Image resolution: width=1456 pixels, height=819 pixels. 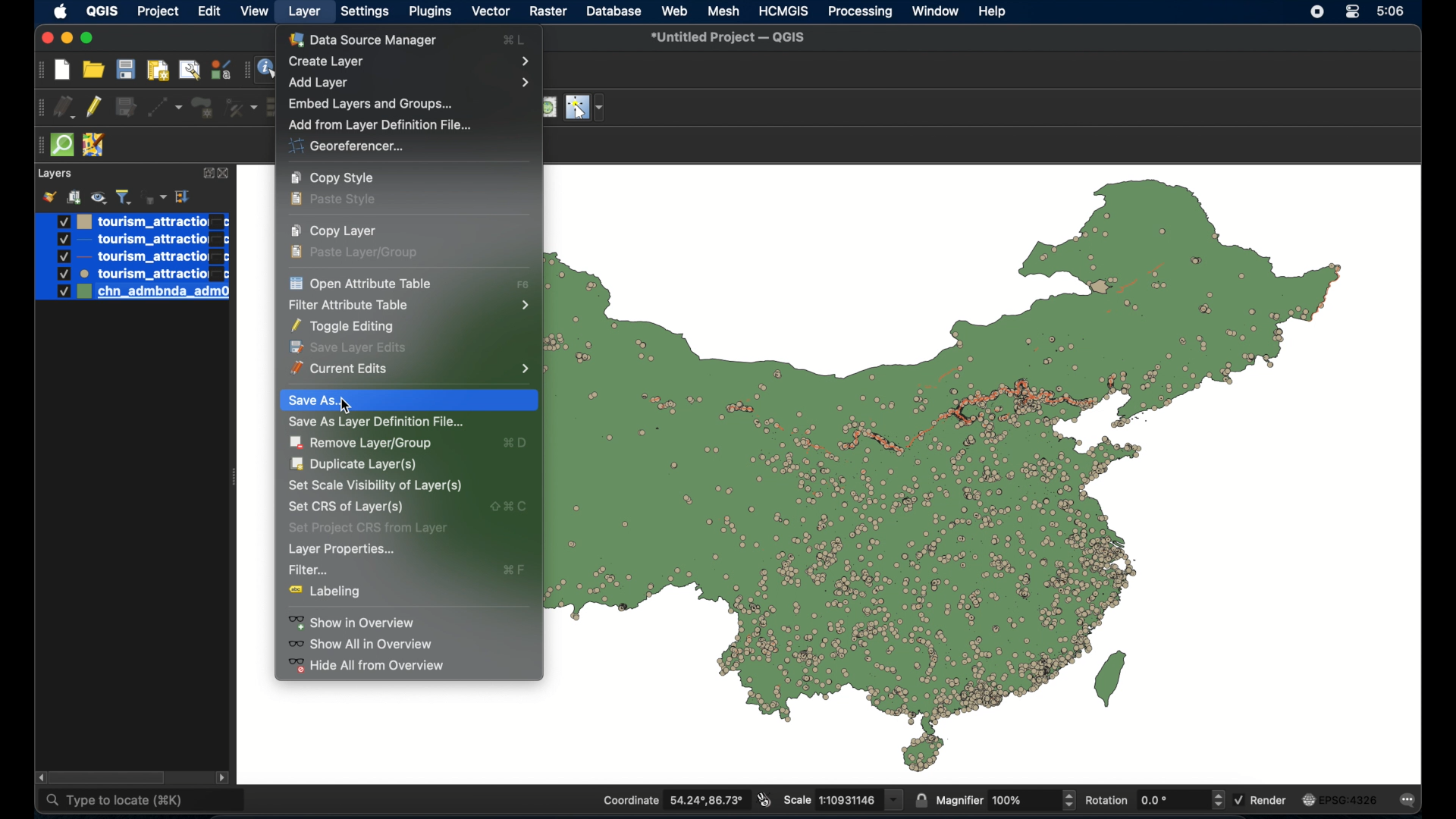 What do you see at coordinates (348, 348) in the screenshot?
I see `save layer edits` at bounding box center [348, 348].